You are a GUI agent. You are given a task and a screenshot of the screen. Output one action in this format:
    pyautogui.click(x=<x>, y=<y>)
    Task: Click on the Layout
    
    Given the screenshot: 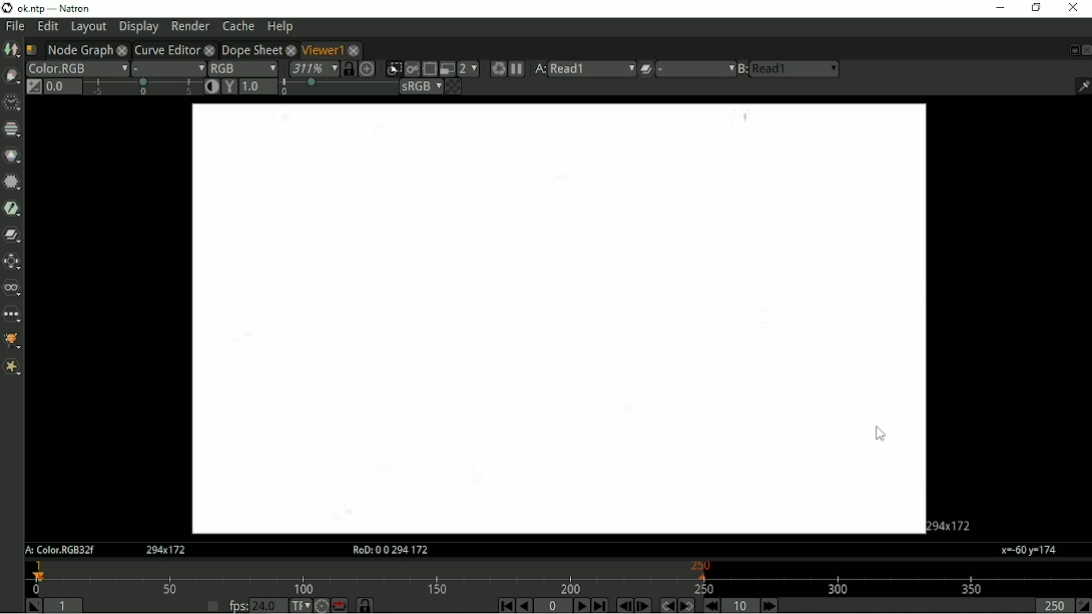 What is the action you would take?
    pyautogui.click(x=87, y=27)
    